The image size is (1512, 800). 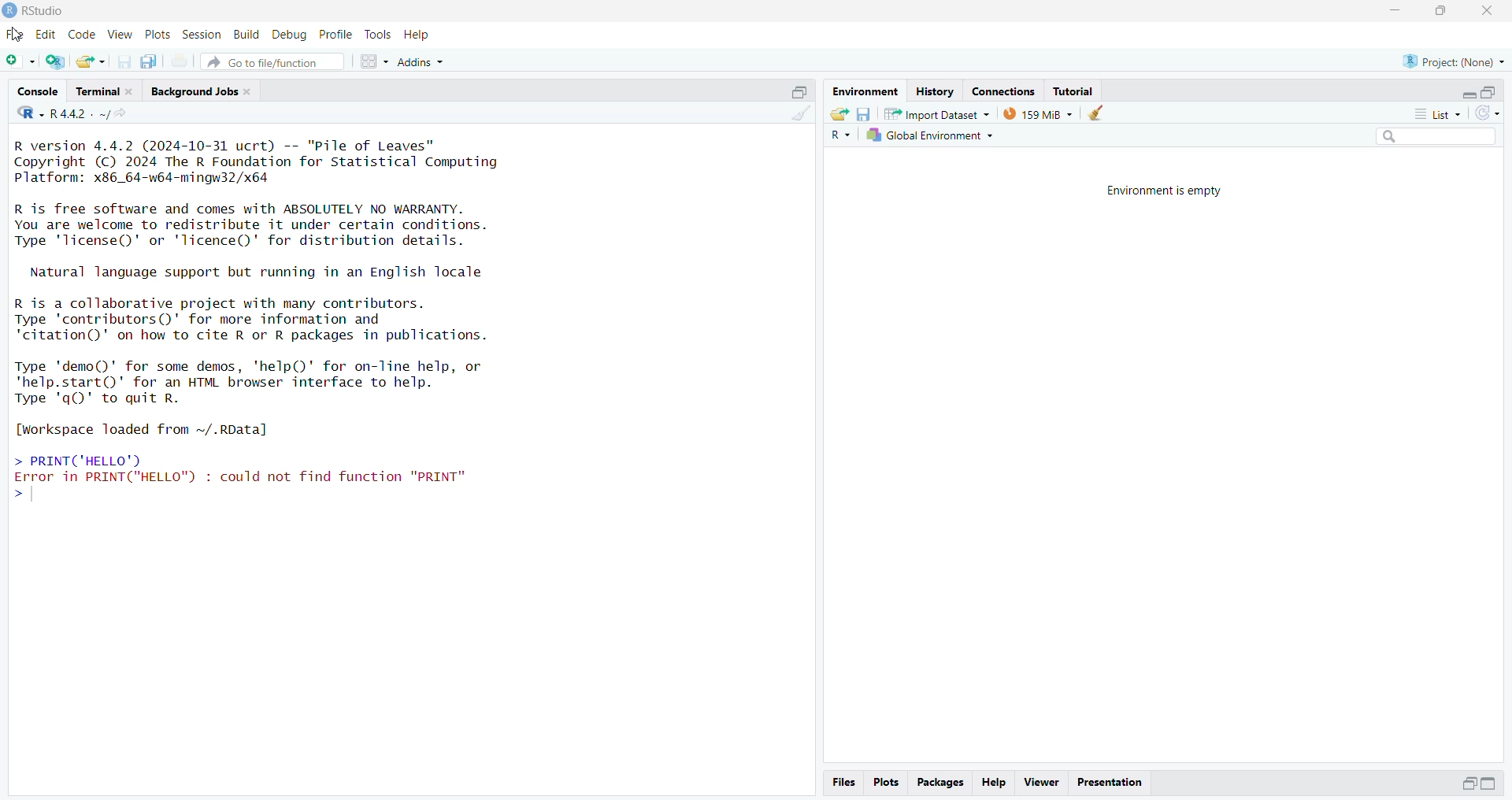 What do you see at coordinates (35, 10) in the screenshot?
I see `Rstudio` at bounding box center [35, 10].